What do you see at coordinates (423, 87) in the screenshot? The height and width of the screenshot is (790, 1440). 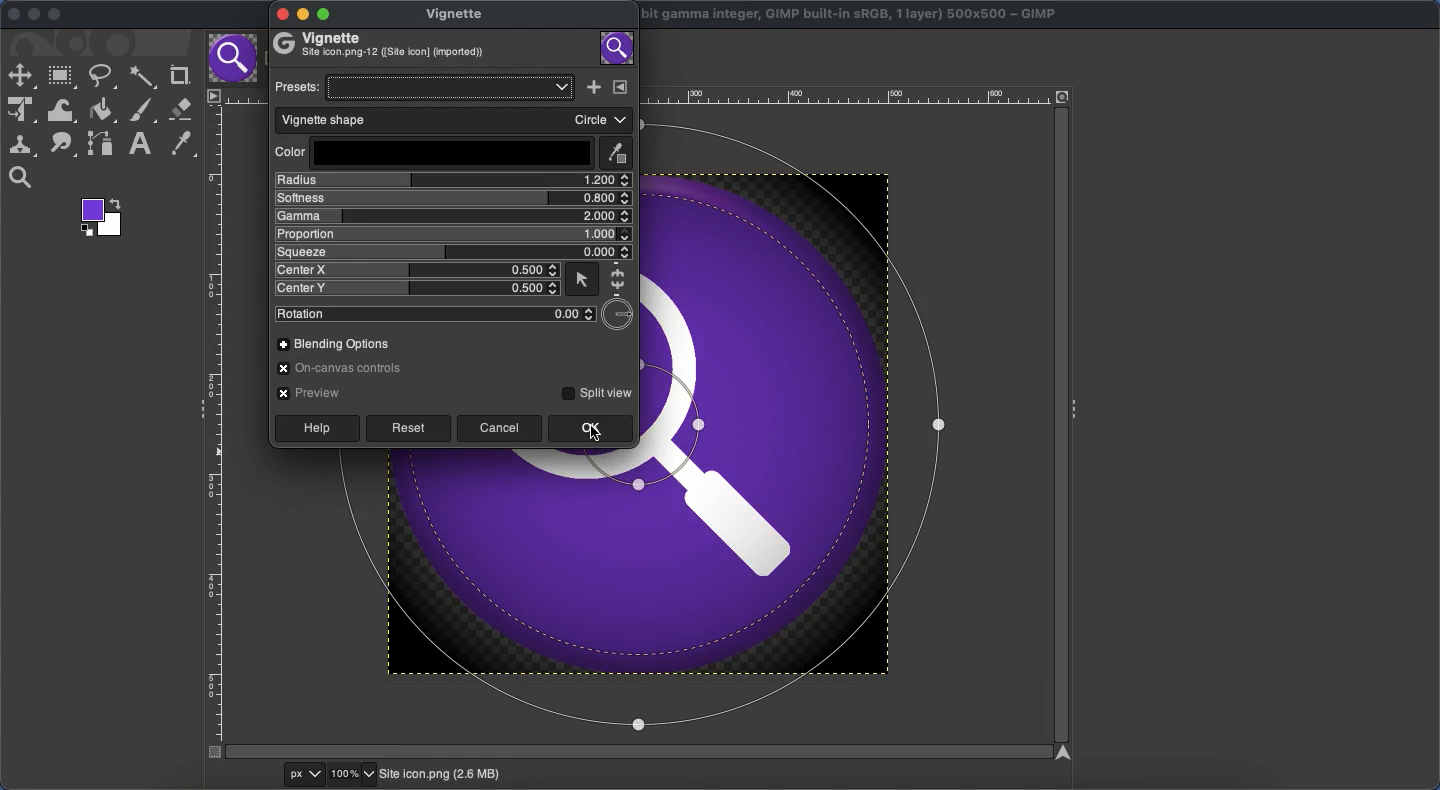 I see `Presets` at bounding box center [423, 87].